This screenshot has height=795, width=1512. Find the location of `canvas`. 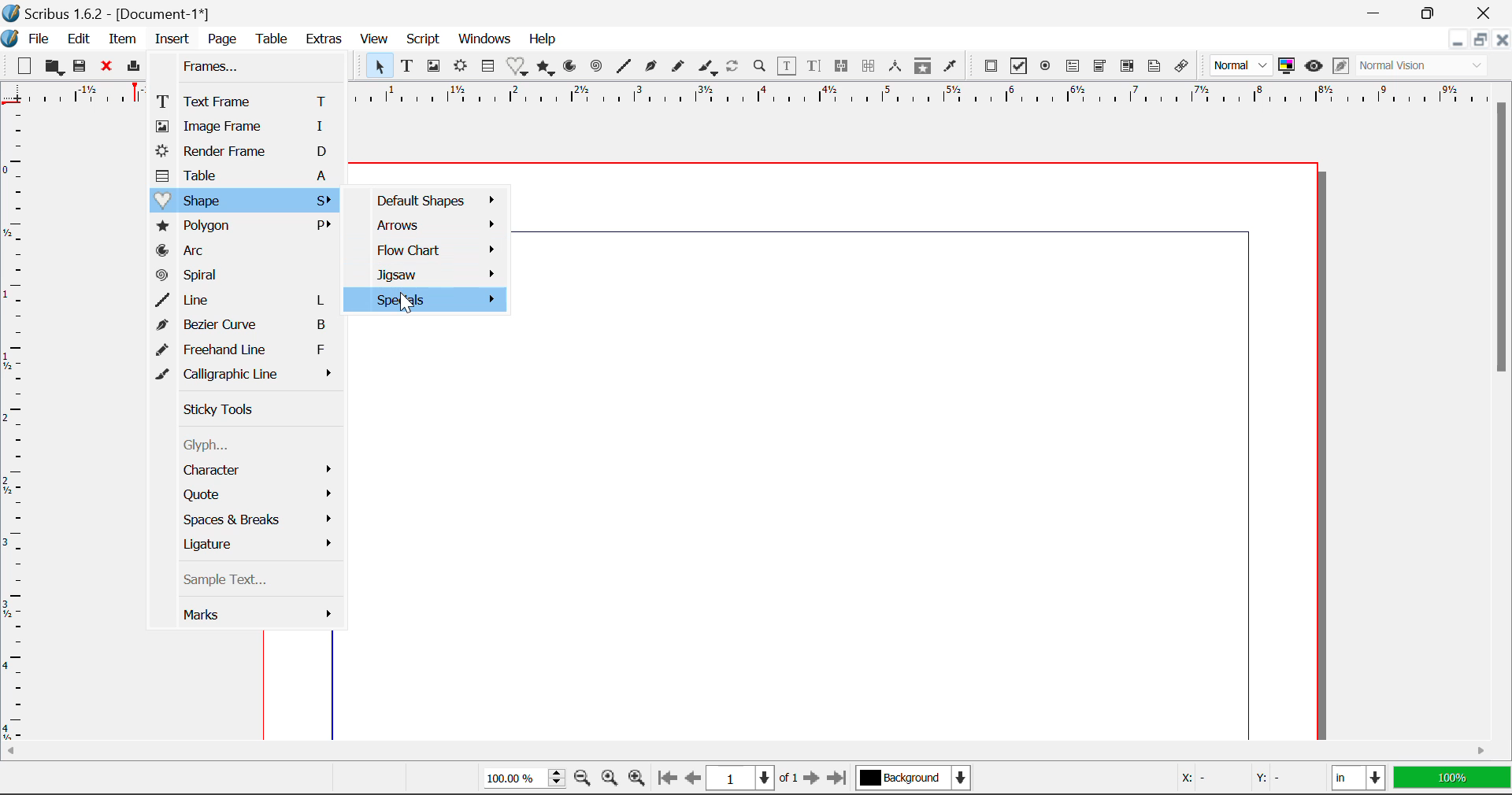

canvas is located at coordinates (919, 450).